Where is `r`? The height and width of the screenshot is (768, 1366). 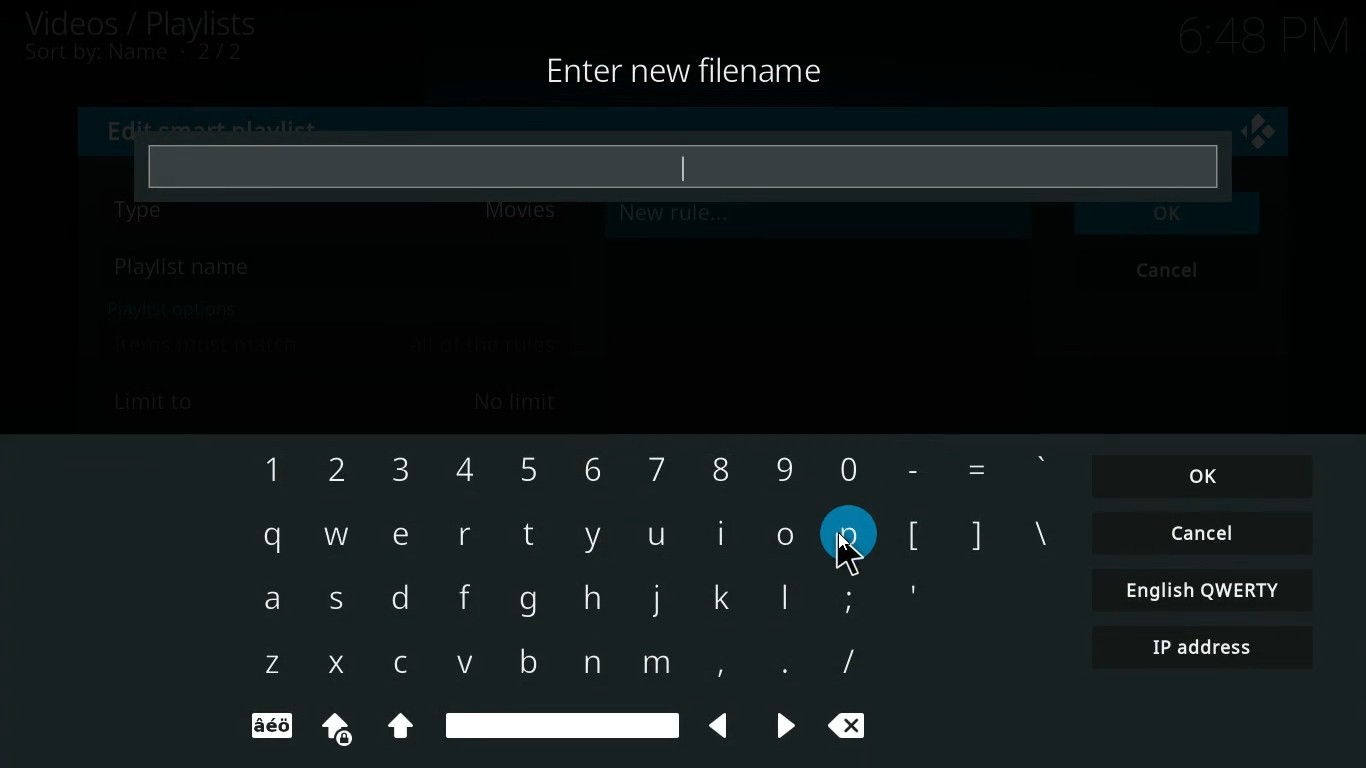
r is located at coordinates (465, 534).